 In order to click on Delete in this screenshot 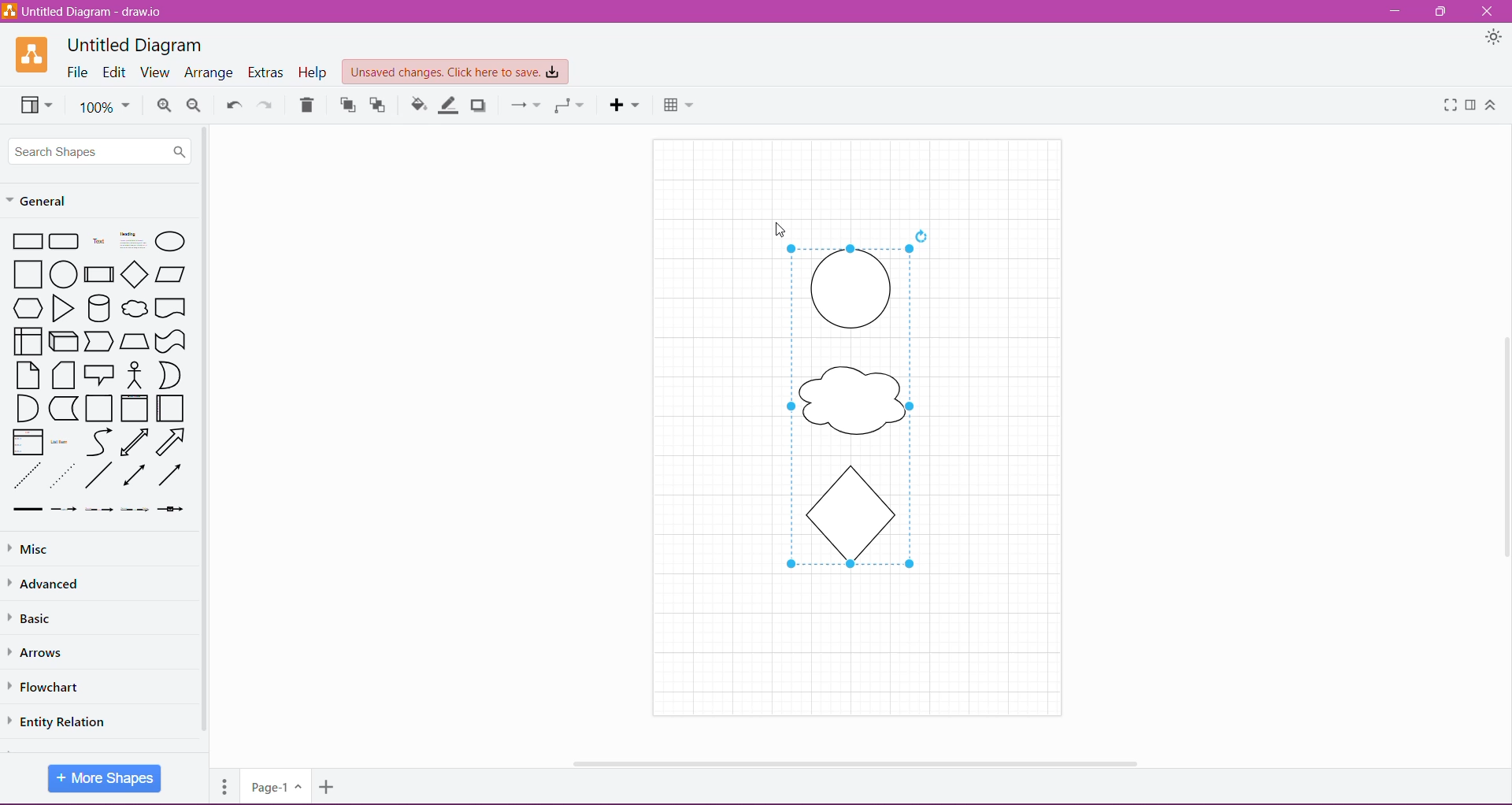, I will do `click(307, 105)`.